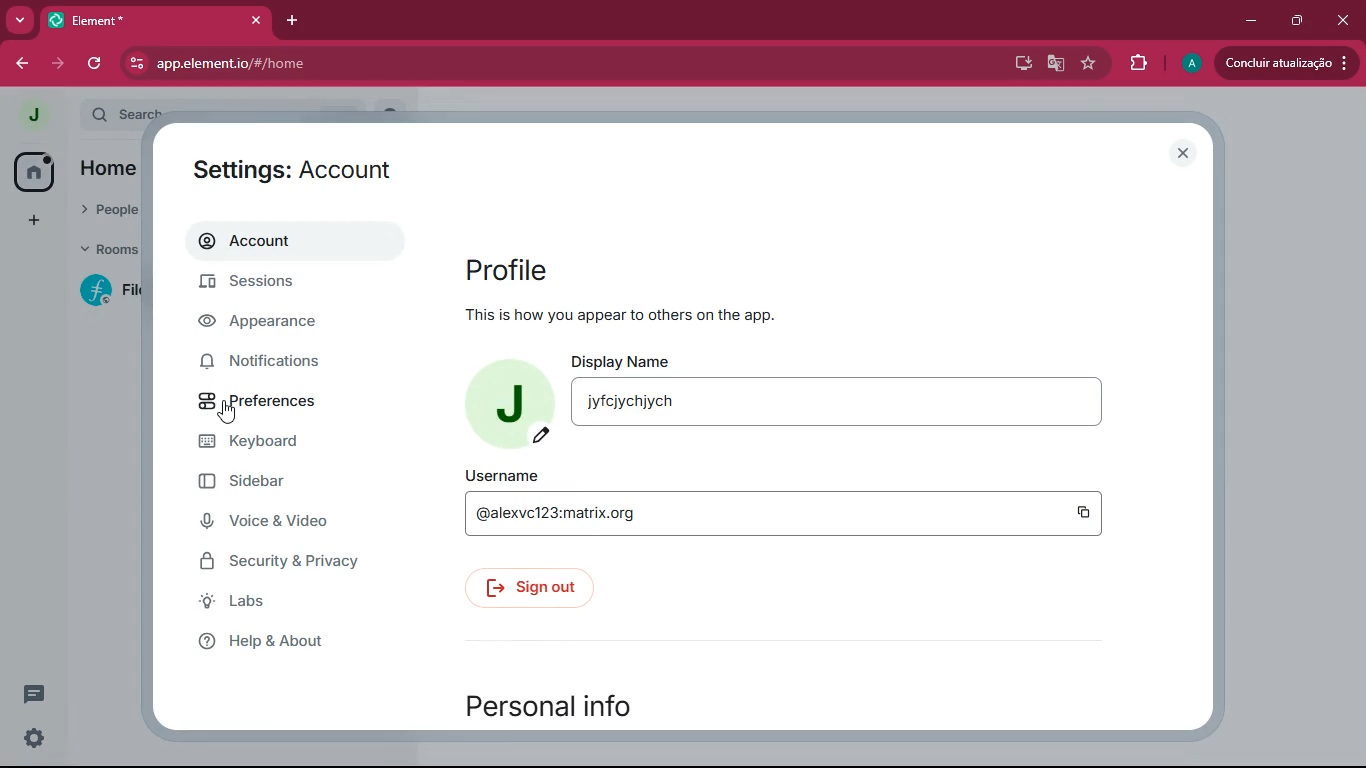 The image size is (1366, 768). Describe the element at coordinates (288, 24) in the screenshot. I see `add tab` at that location.